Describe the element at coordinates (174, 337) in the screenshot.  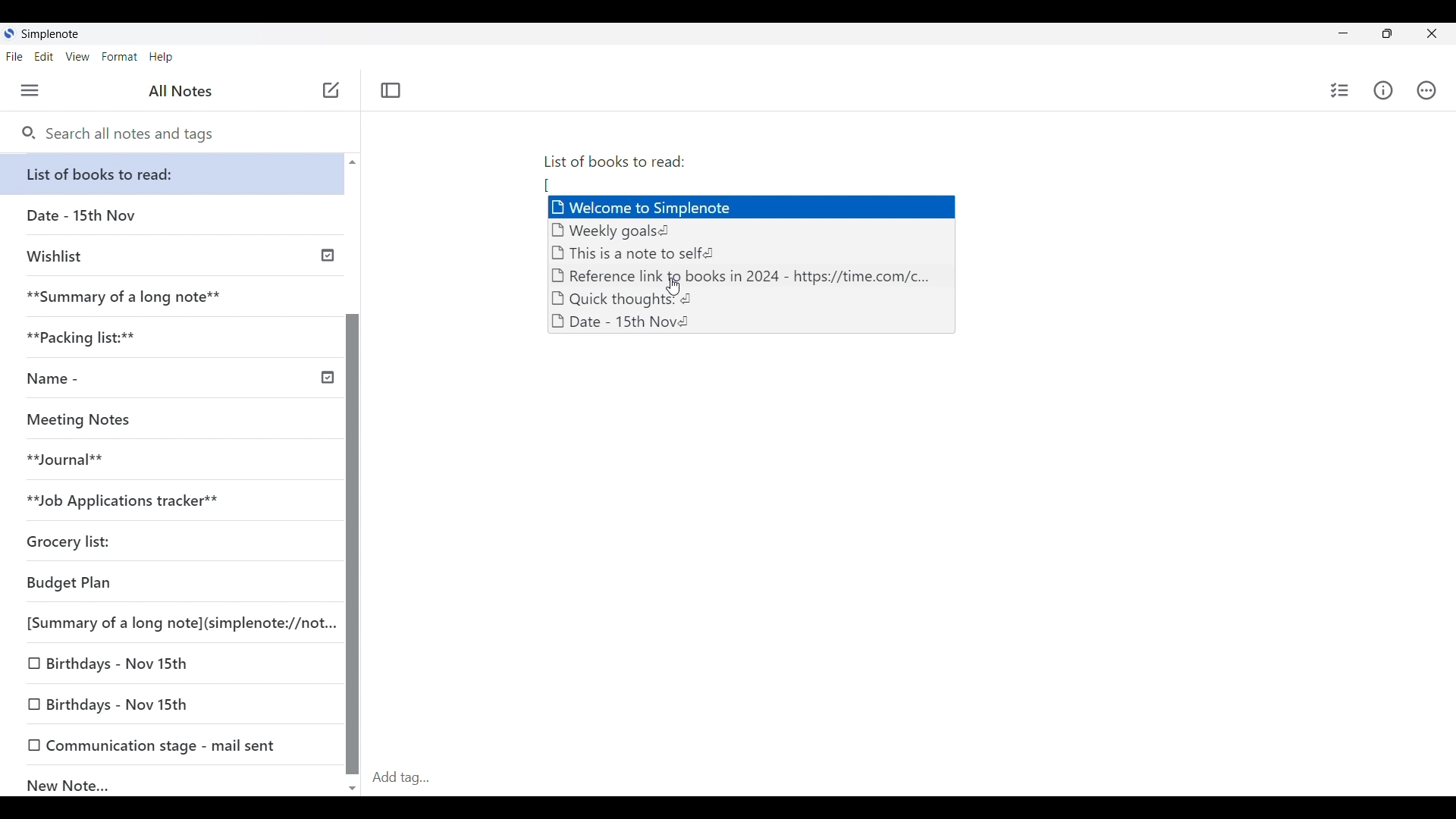
I see `**Packing list:**` at that location.